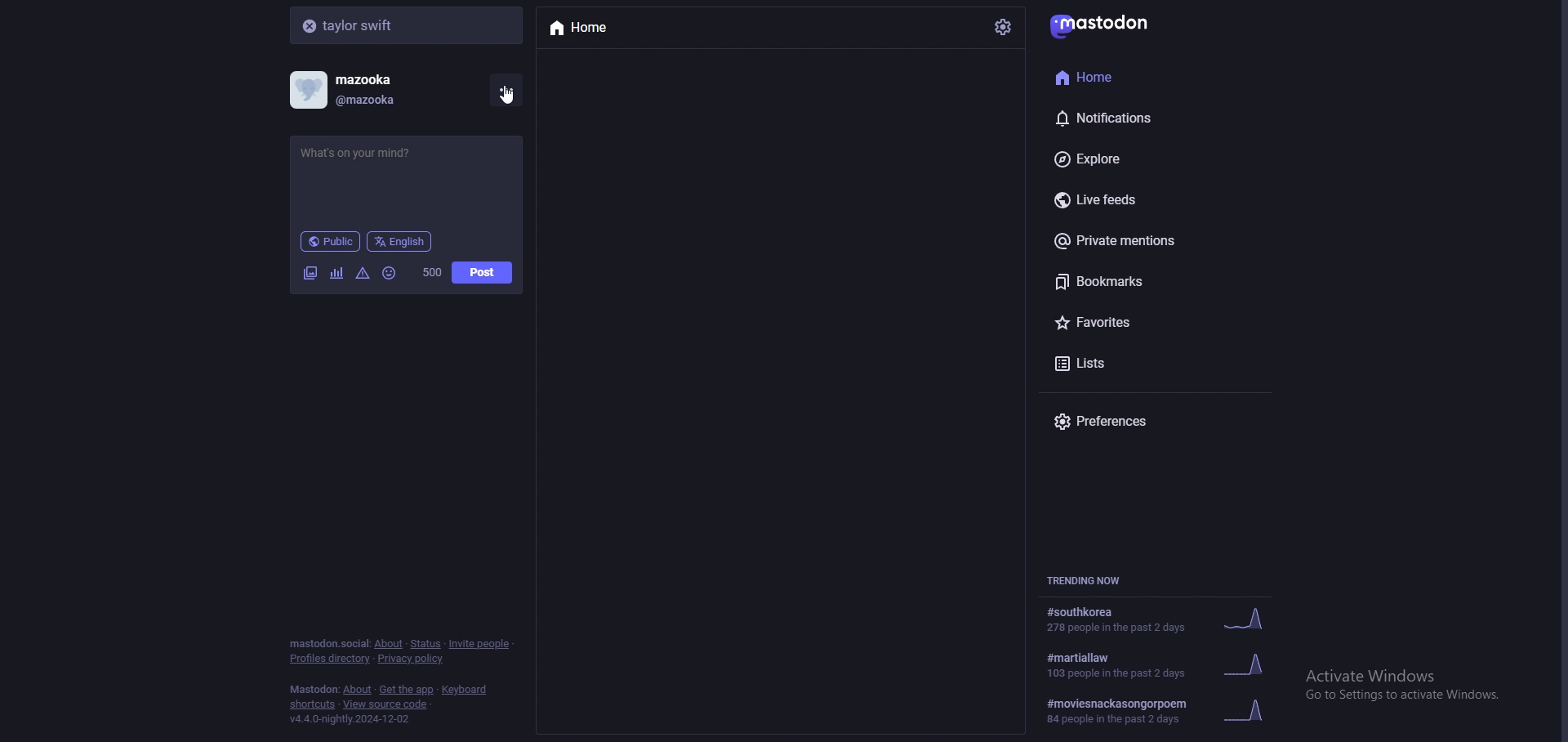 Image resolution: width=1568 pixels, height=742 pixels. I want to click on public, so click(332, 241).